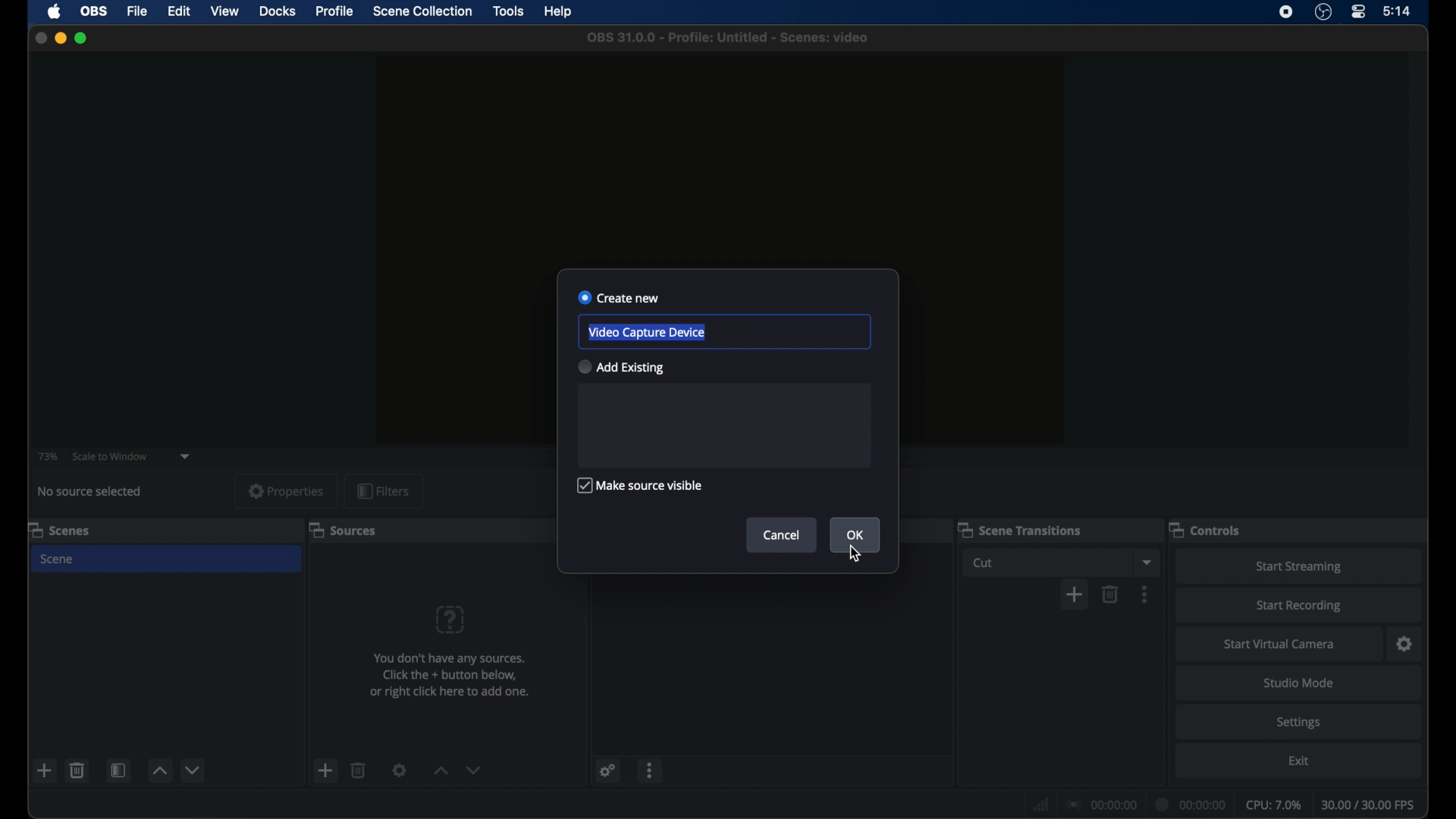 This screenshot has height=819, width=1456. Describe the element at coordinates (1398, 11) in the screenshot. I see `time` at that location.